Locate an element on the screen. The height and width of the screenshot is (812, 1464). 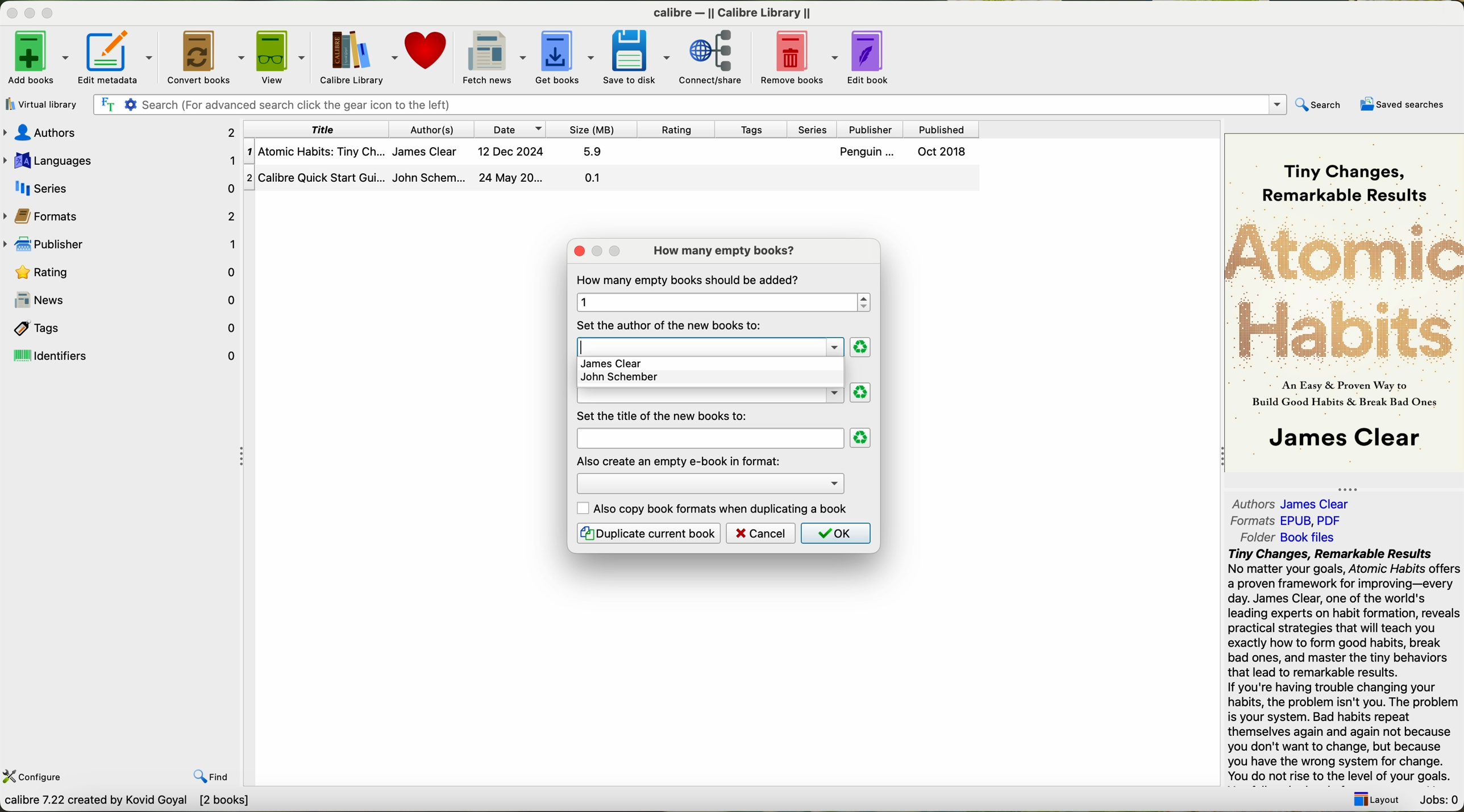
series is located at coordinates (817, 130).